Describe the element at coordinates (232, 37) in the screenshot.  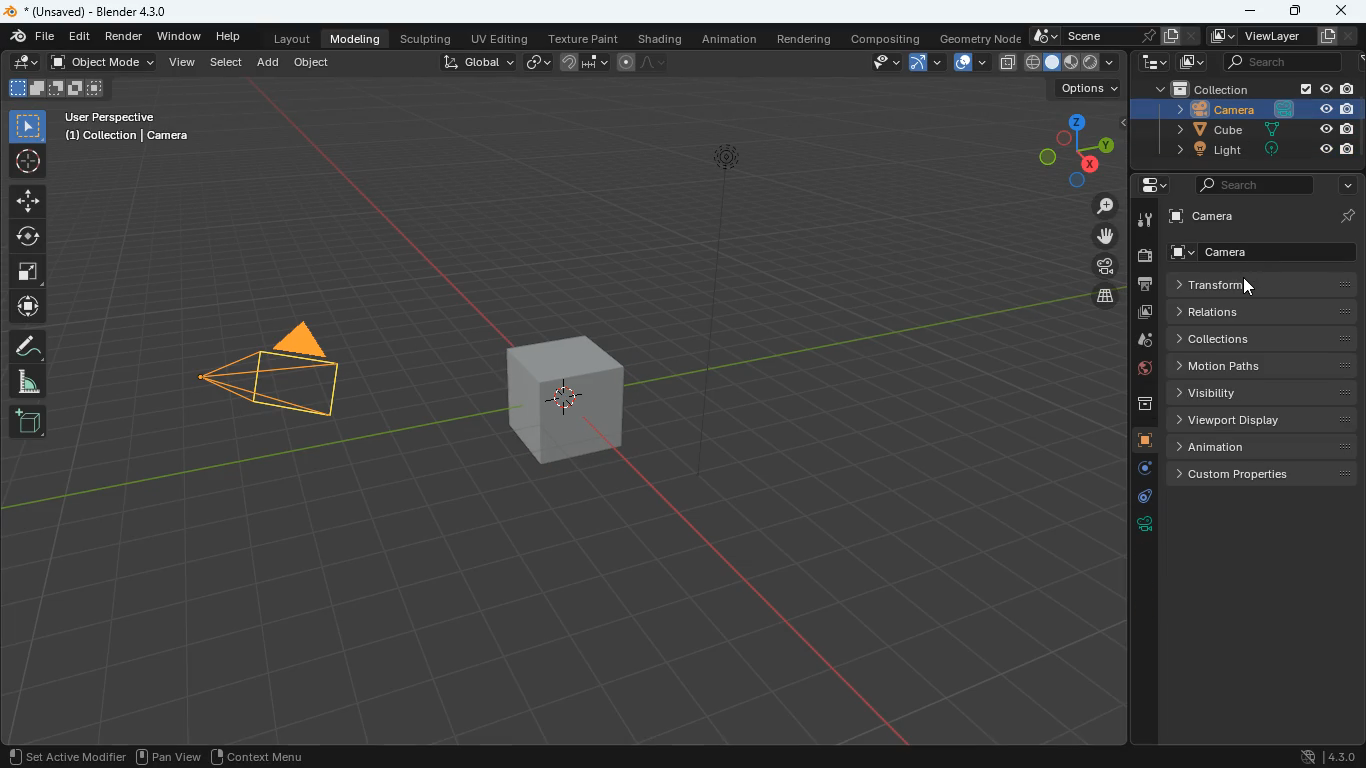
I see `help` at that location.